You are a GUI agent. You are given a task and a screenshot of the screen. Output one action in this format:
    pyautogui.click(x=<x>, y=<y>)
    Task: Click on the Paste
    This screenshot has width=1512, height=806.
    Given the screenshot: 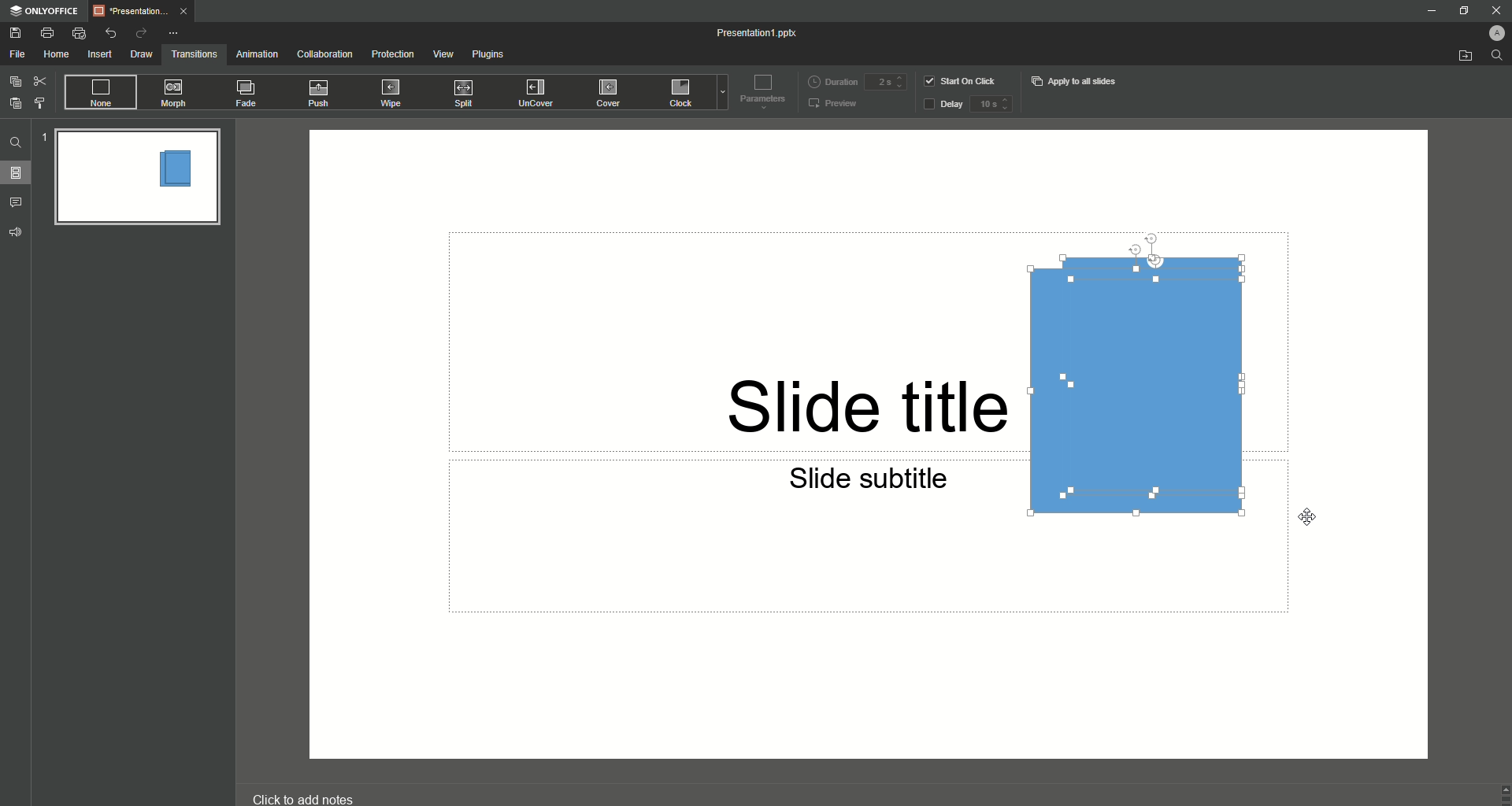 What is the action you would take?
    pyautogui.click(x=16, y=103)
    